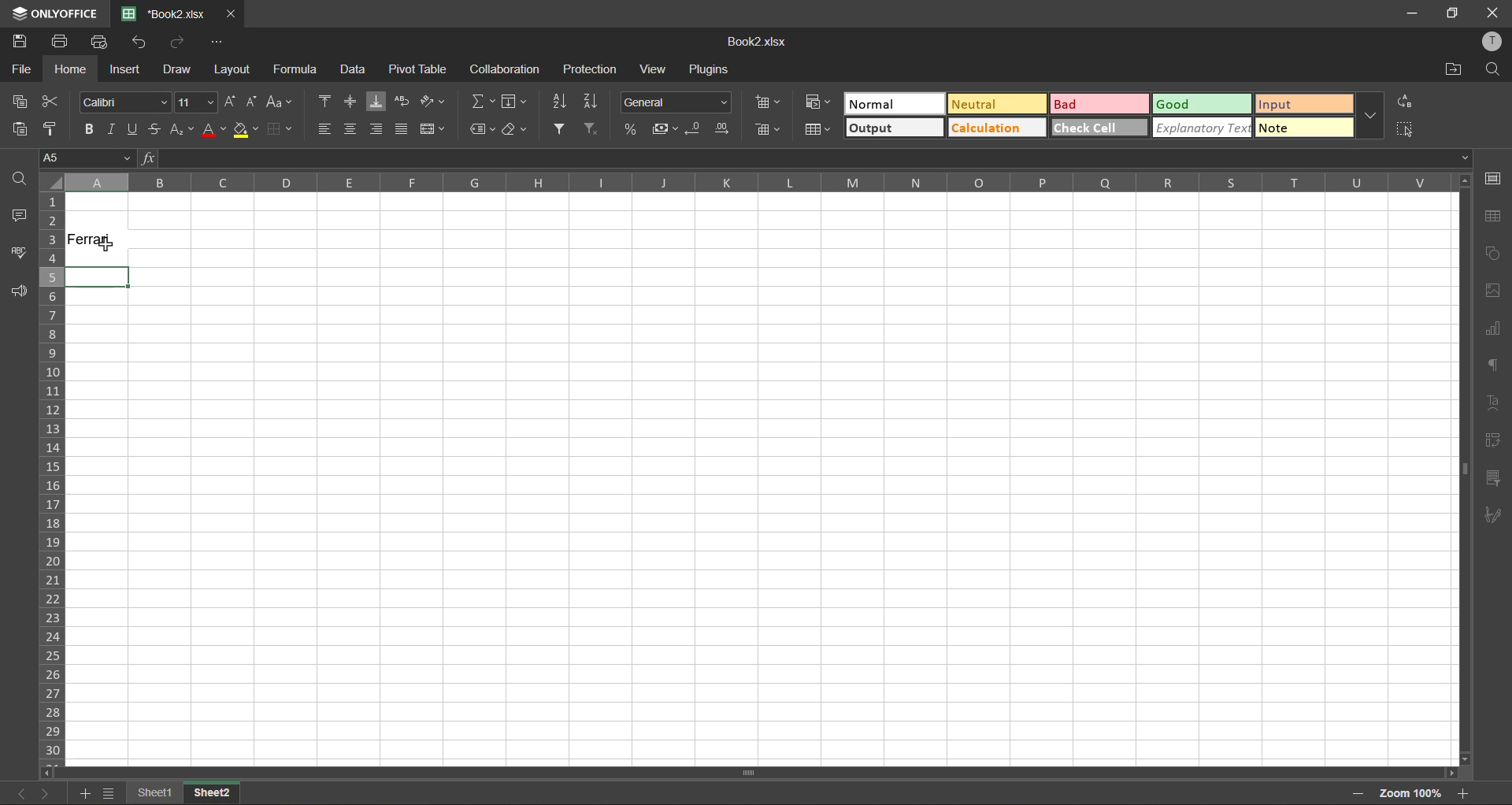 Image resolution: width=1512 pixels, height=805 pixels. What do you see at coordinates (234, 13) in the screenshot?
I see `close` at bounding box center [234, 13].